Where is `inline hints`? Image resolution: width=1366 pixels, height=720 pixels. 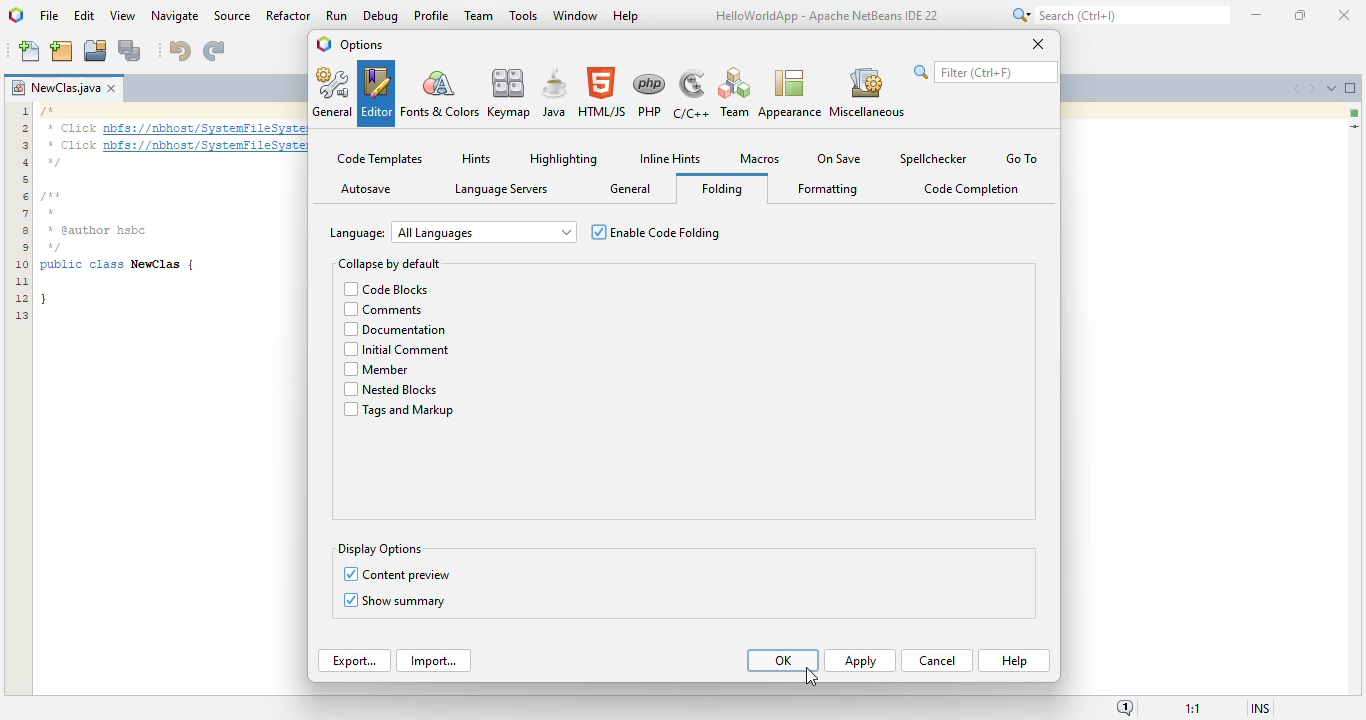
inline hints is located at coordinates (669, 159).